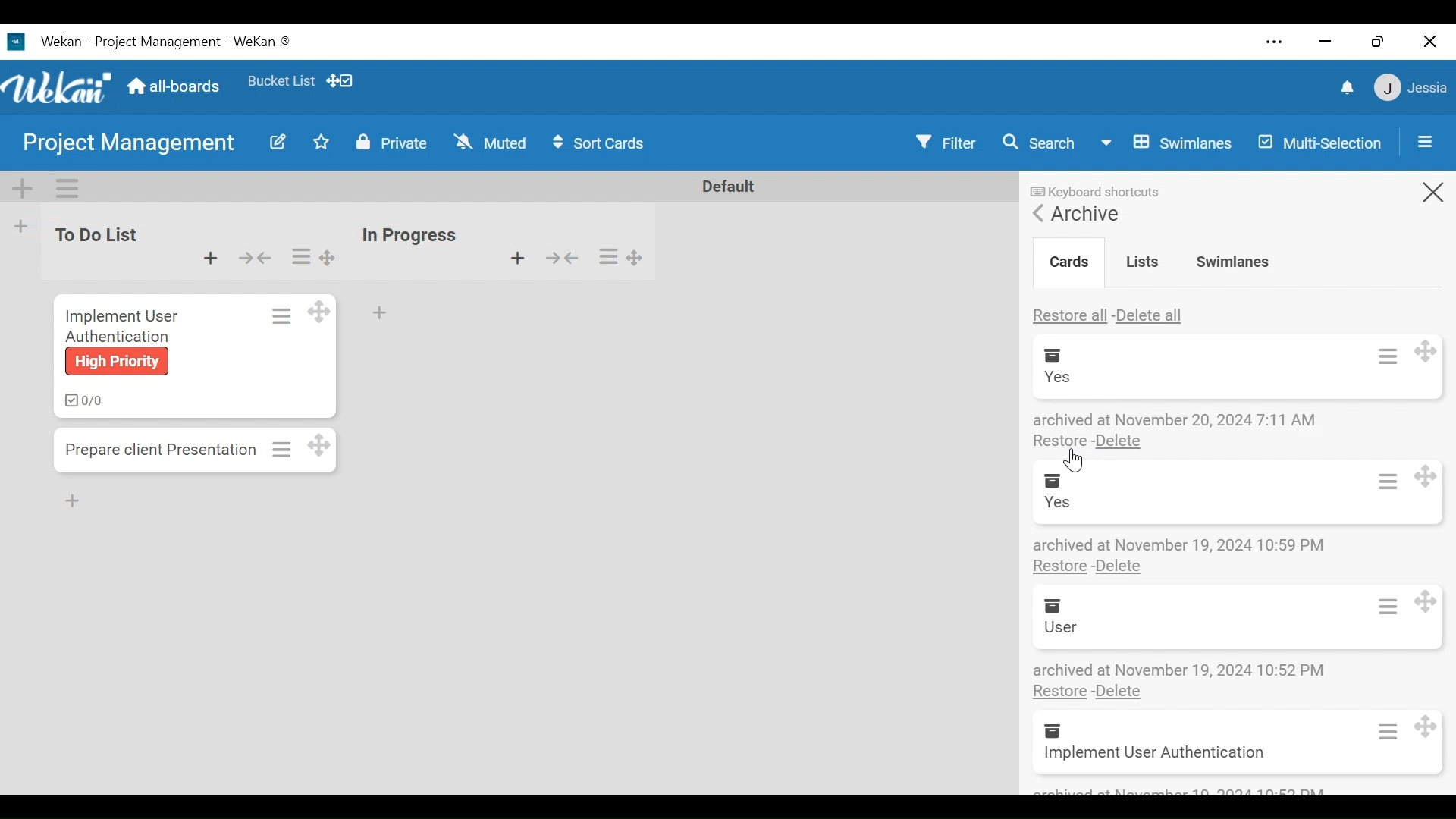 This screenshot has width=1456, height=819. I want to click on Desktop drag handles, so click(328, 444).